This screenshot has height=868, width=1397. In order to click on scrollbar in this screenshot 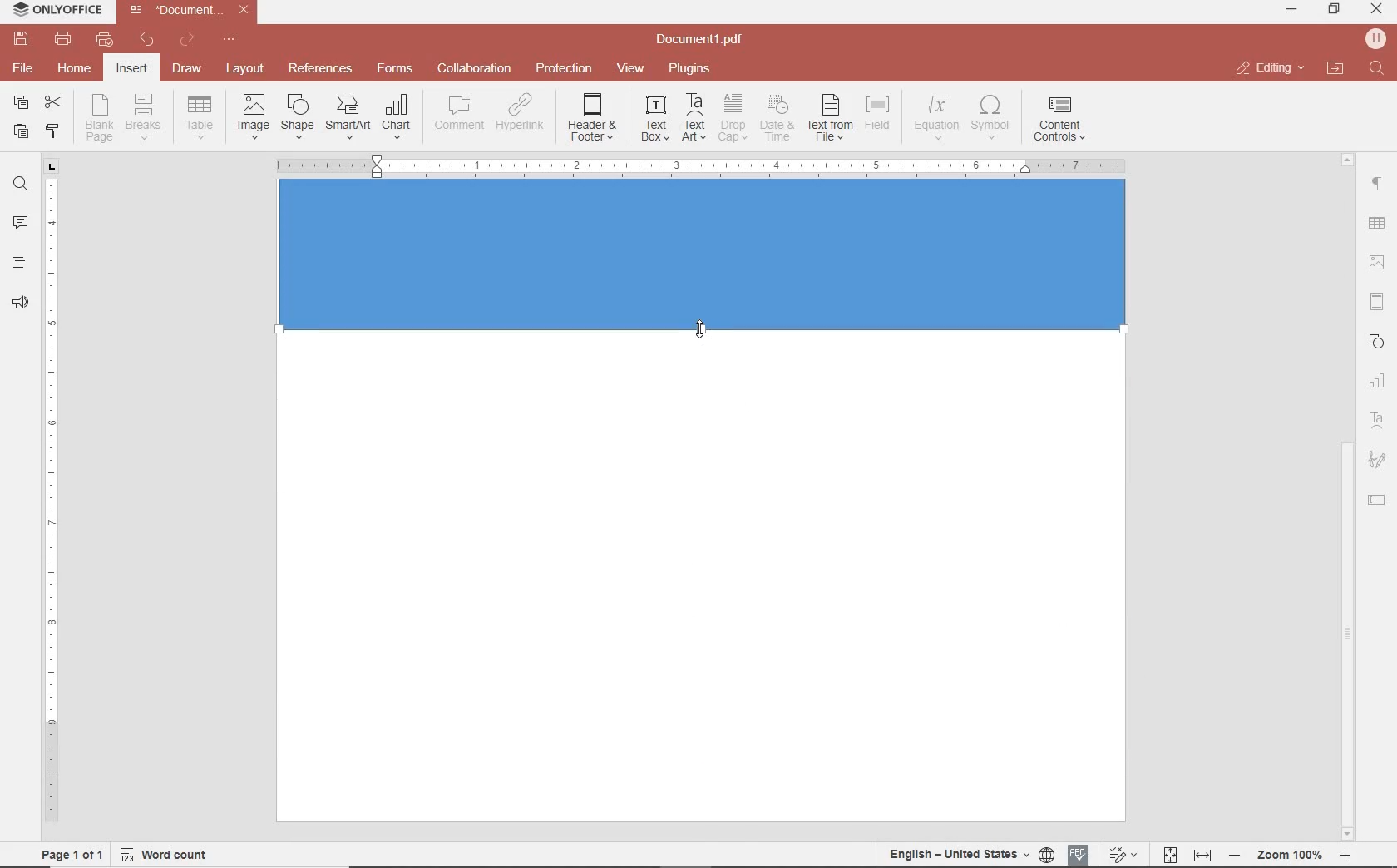, I will do `click(1348, 633)`.